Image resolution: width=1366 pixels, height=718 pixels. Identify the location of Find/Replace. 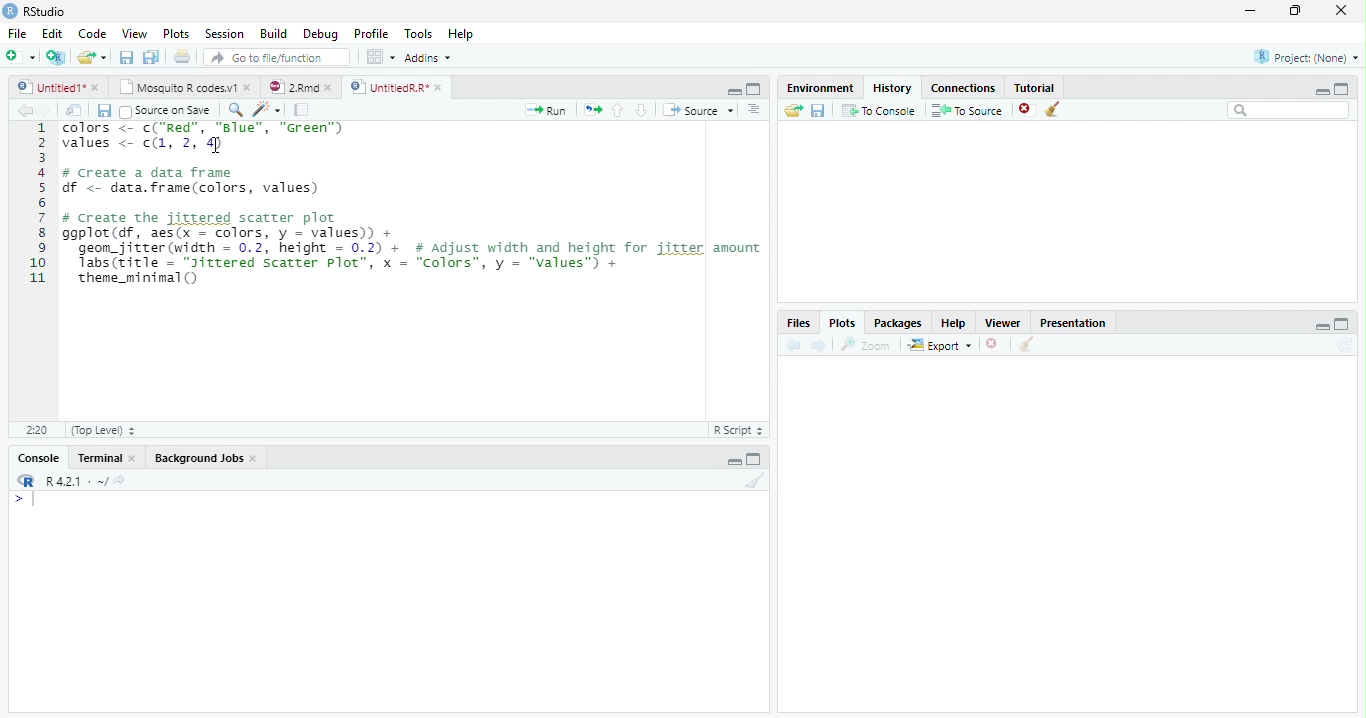
(236, 109).